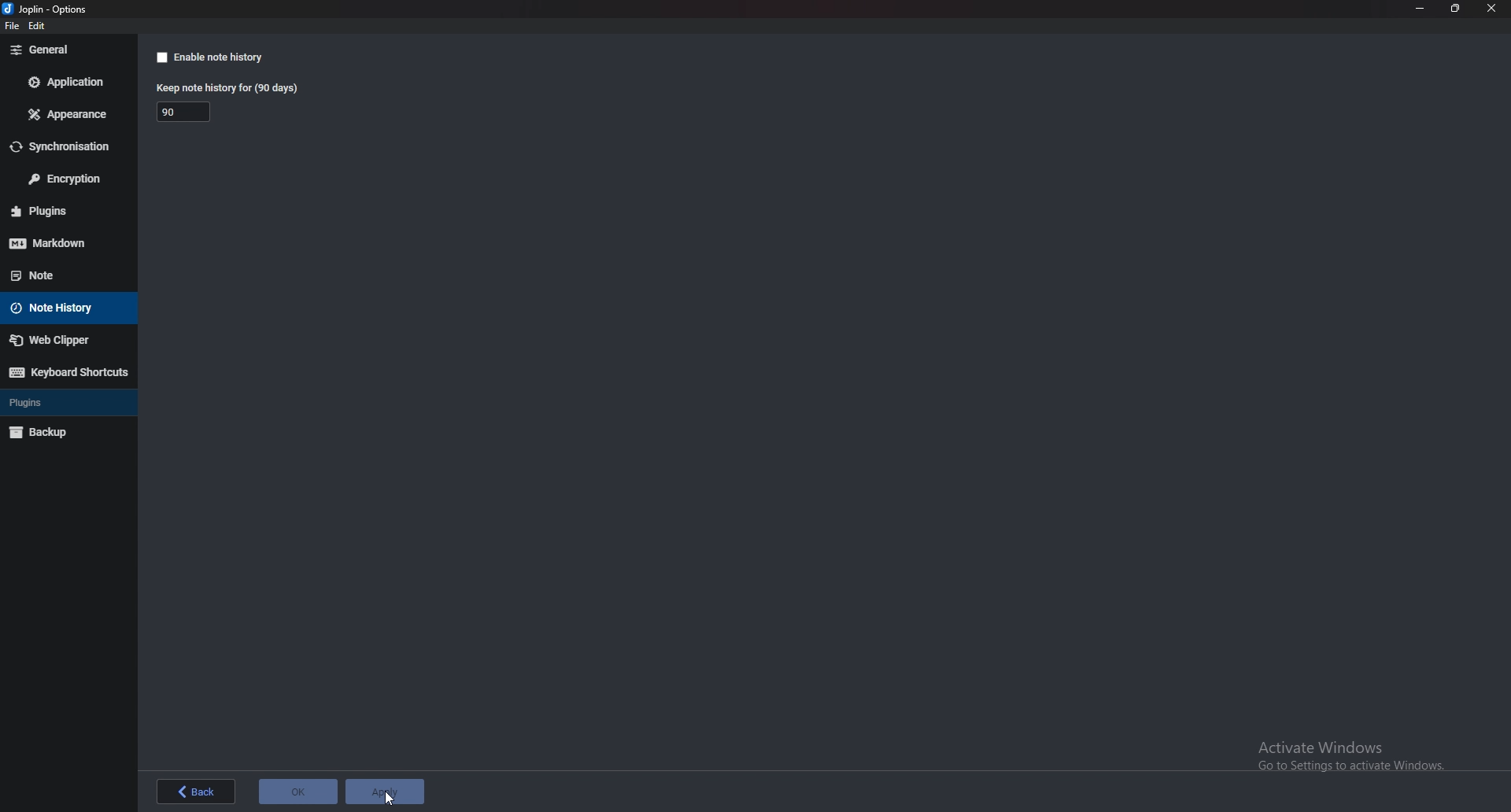 This screenshot has height=812, width=1511. Describe the element at coordinates (67, 341) in the screenshot. I see `Web Clipper` at that location.